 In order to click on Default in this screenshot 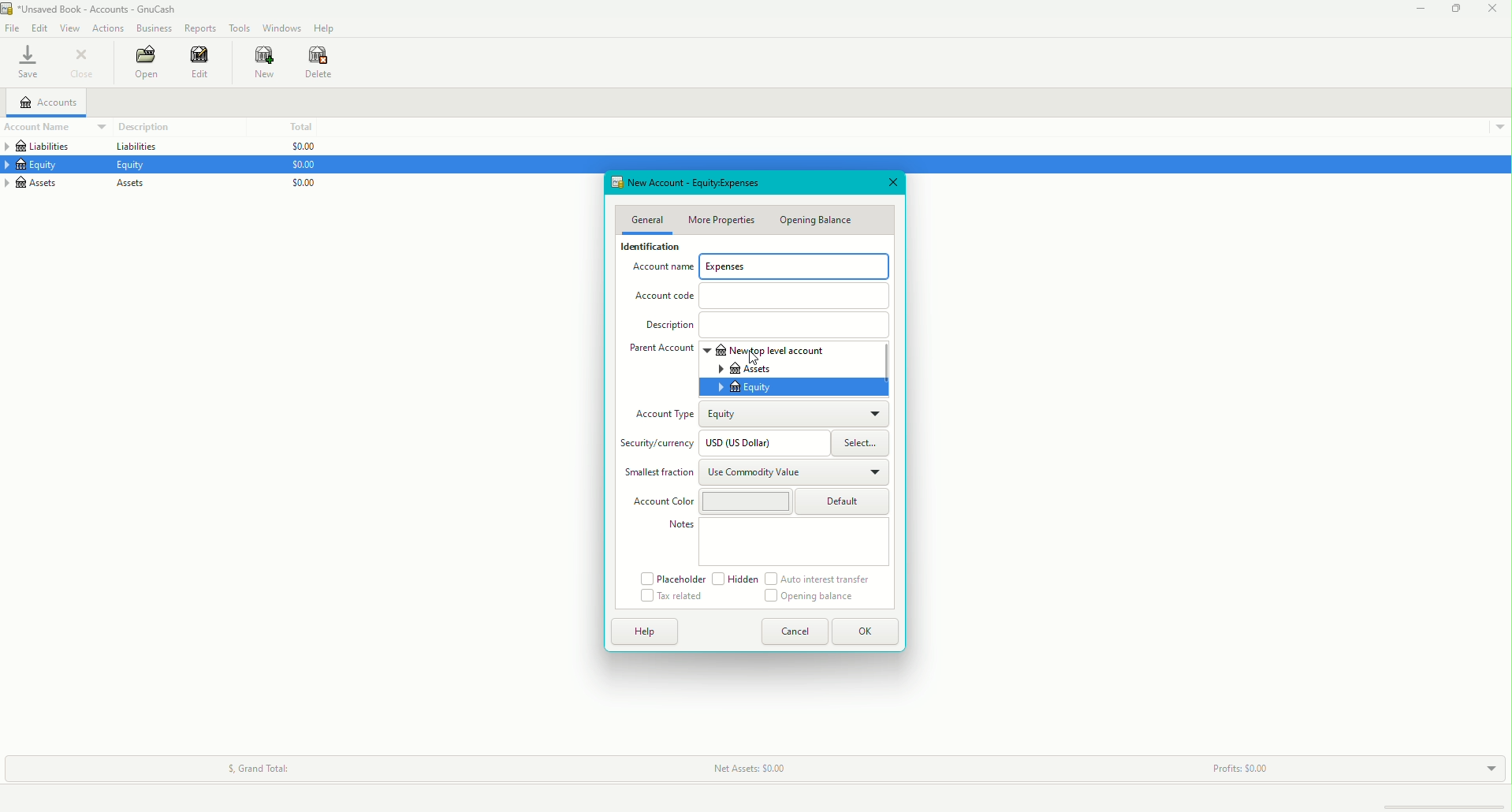, I will do `click(845, 501)`.